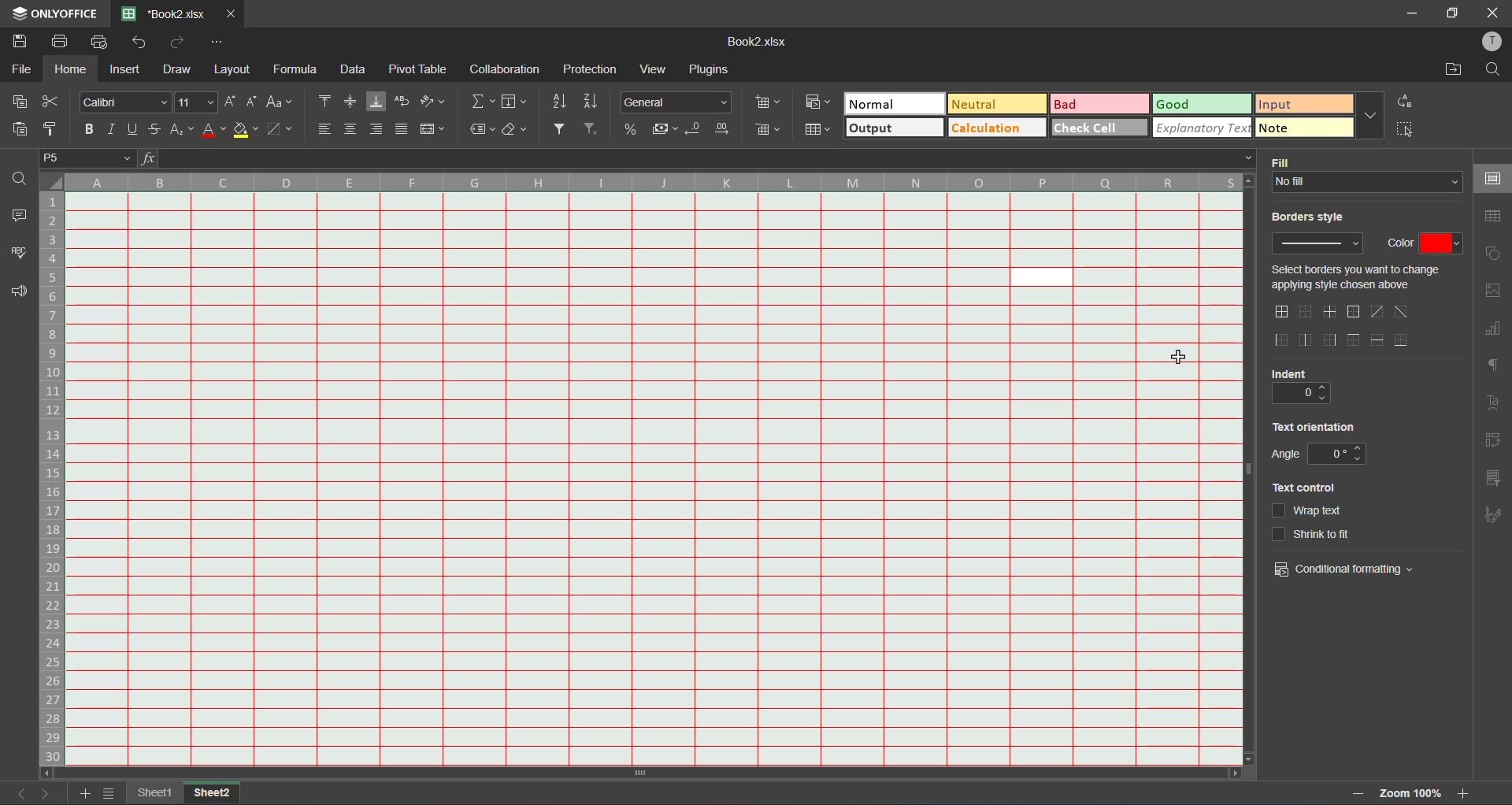 The height and width of the screenshot is (805, 1512). I want to click on neutral, so click(1000, 105).